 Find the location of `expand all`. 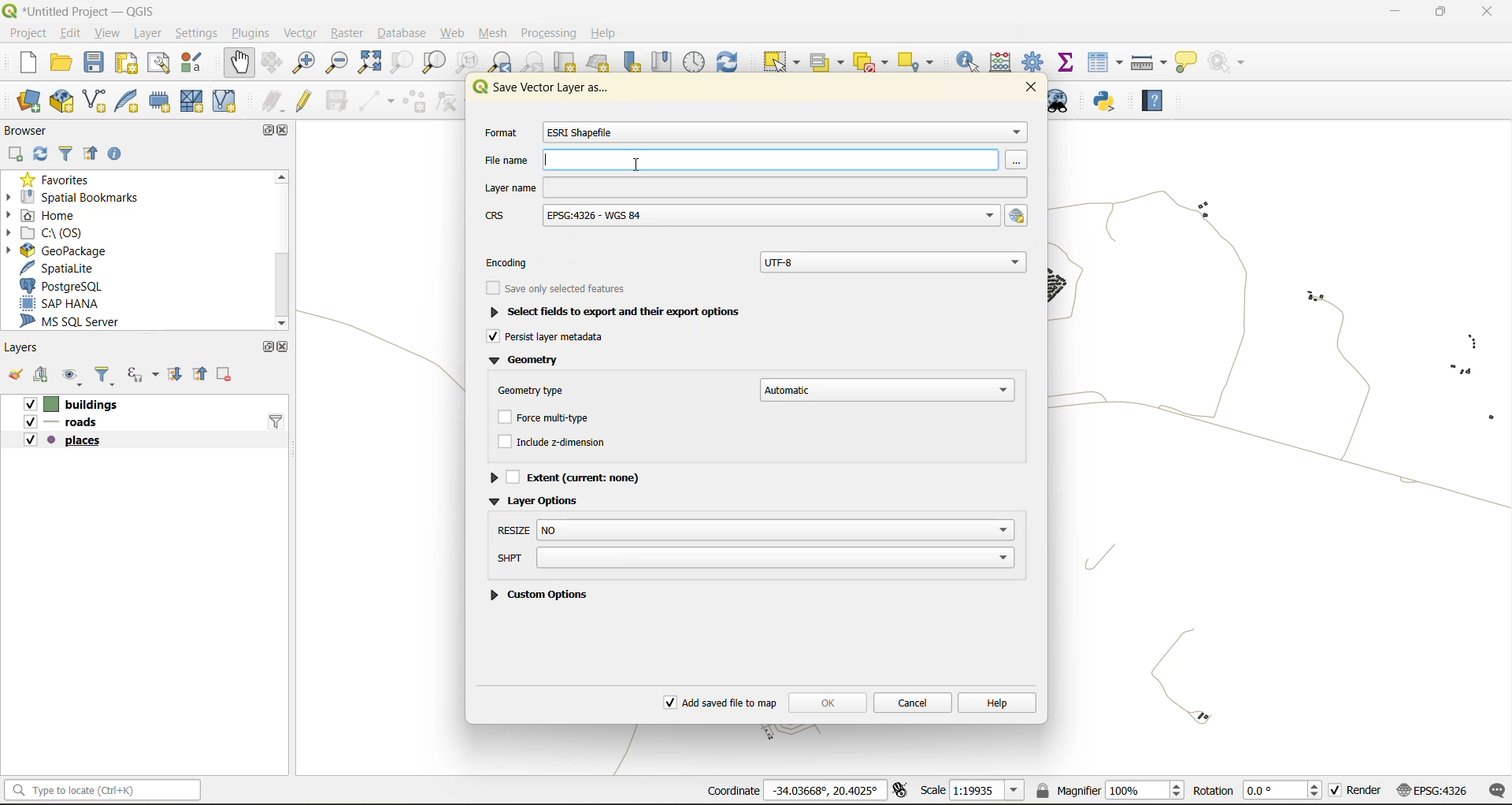

expand all is located at coordinates (176, 378).